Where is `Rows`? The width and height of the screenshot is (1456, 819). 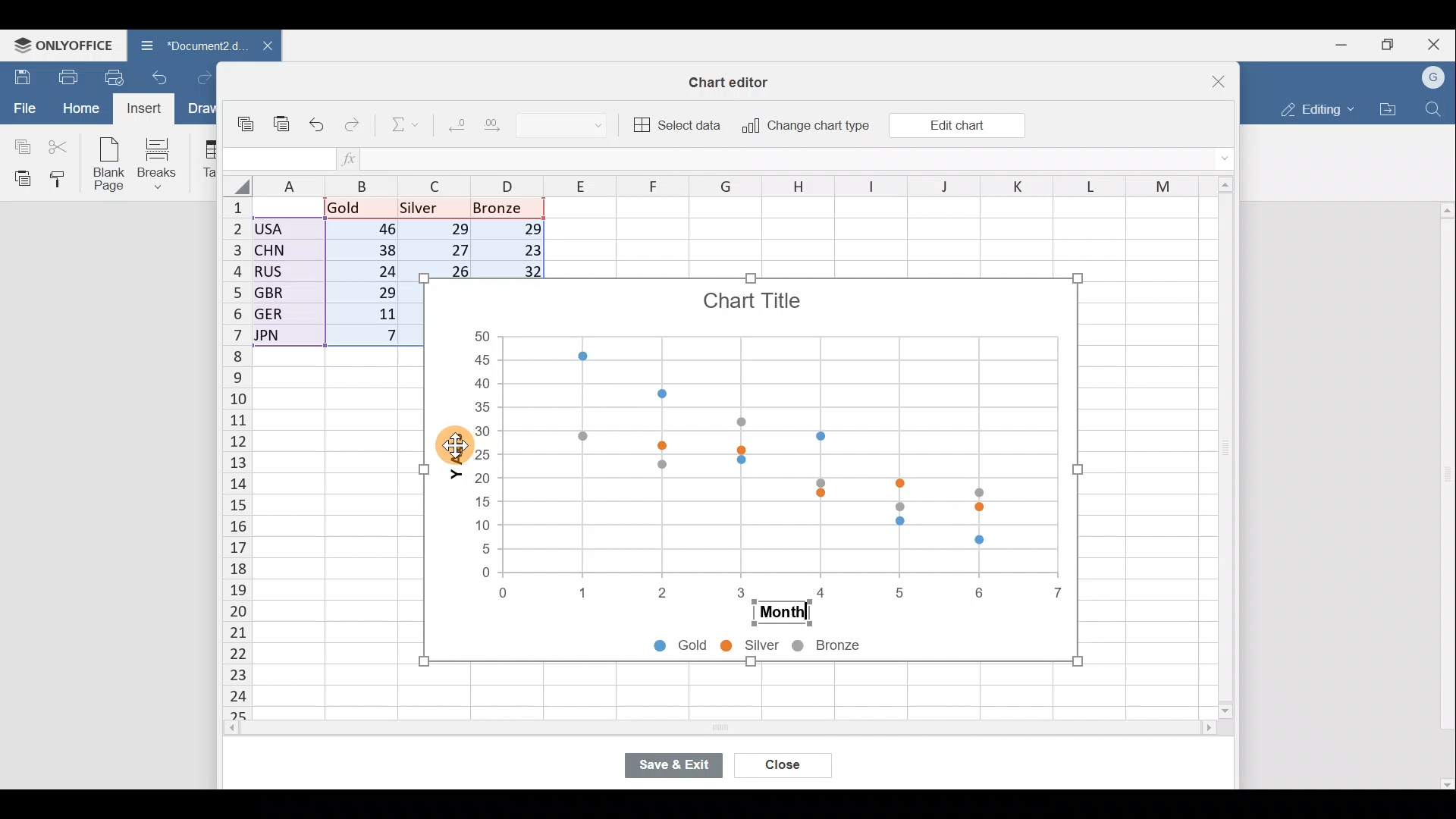
Rows is located at coordinates (227, 460).